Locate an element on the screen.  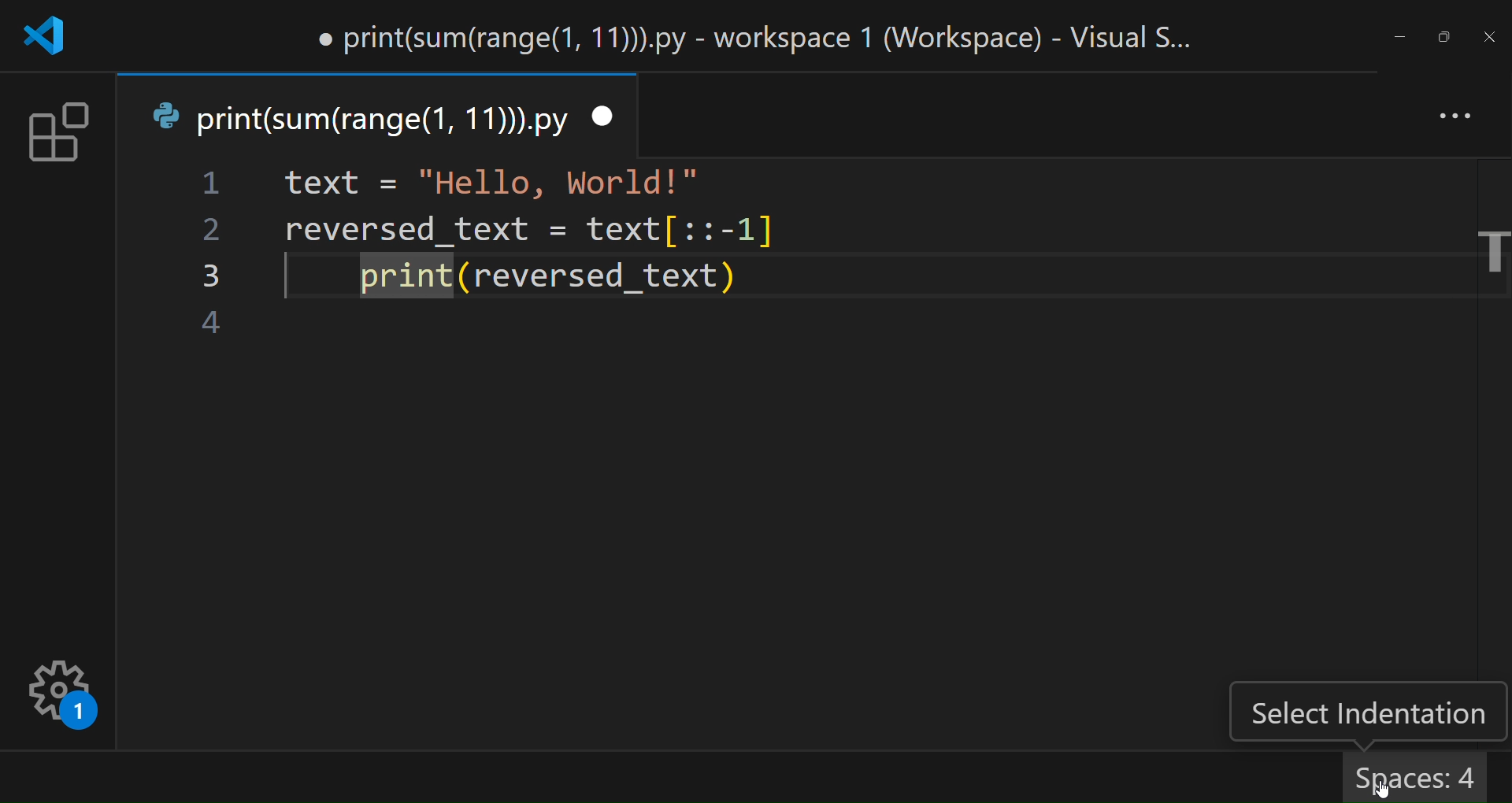
minimize is located at coordinates (1398, 37).